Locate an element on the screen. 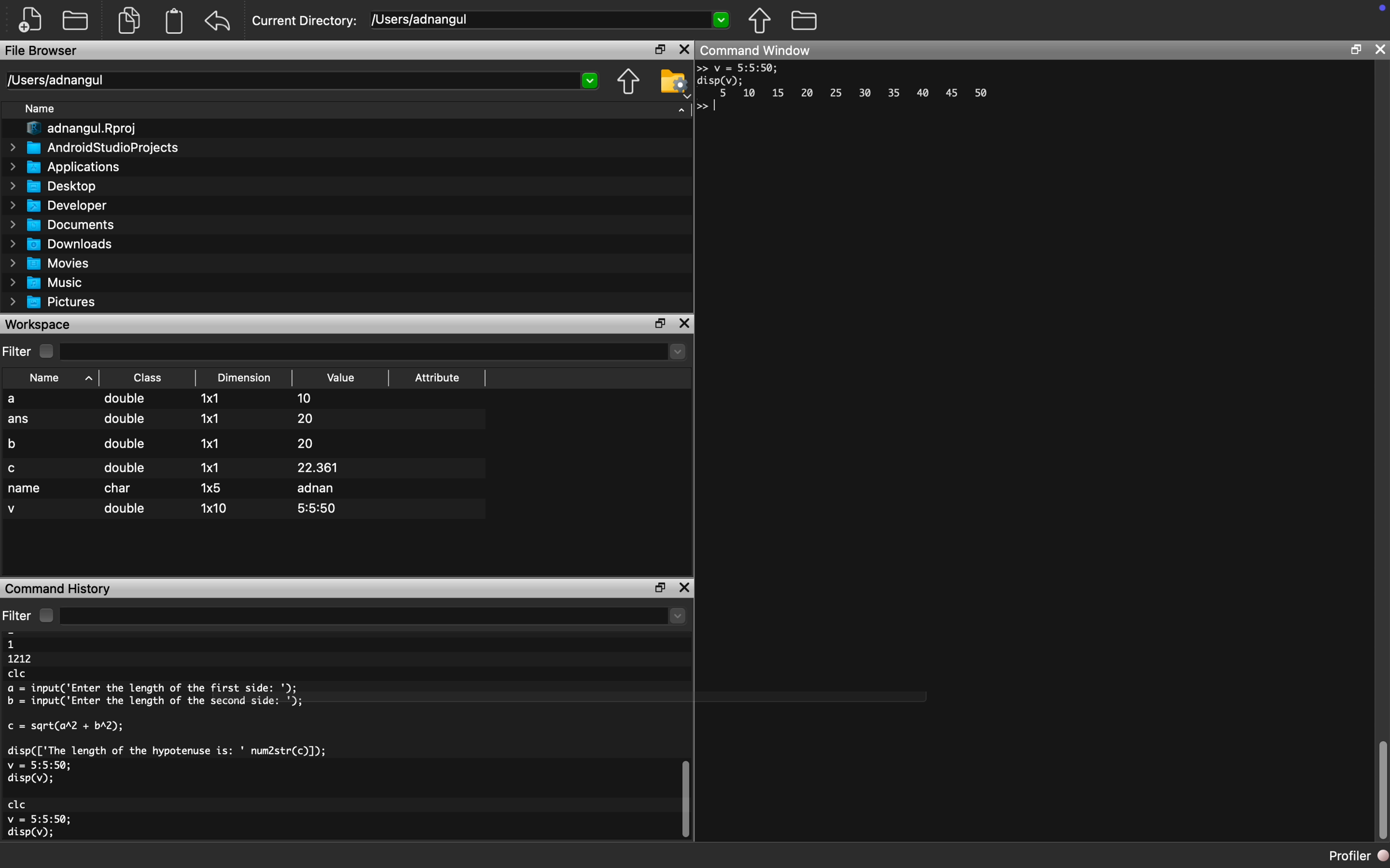  1x1 is located at coordinates (214, 444).